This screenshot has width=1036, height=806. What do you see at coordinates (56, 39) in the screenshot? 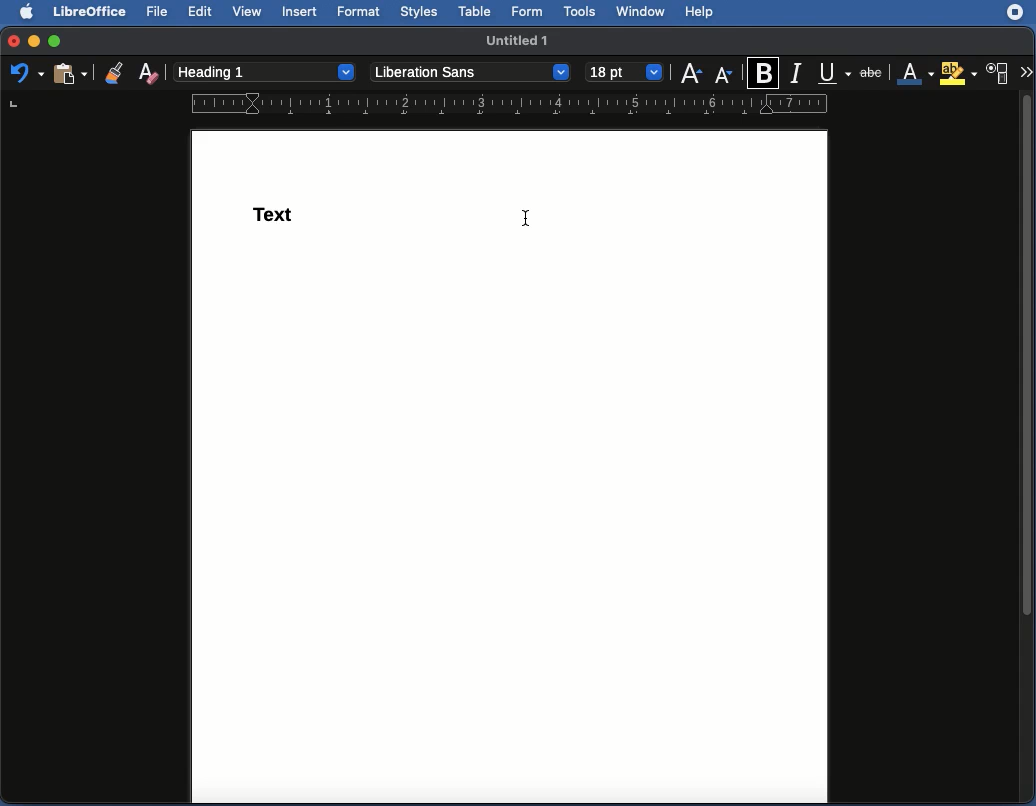
I see `Maximize` at bounding box center [56, 39].